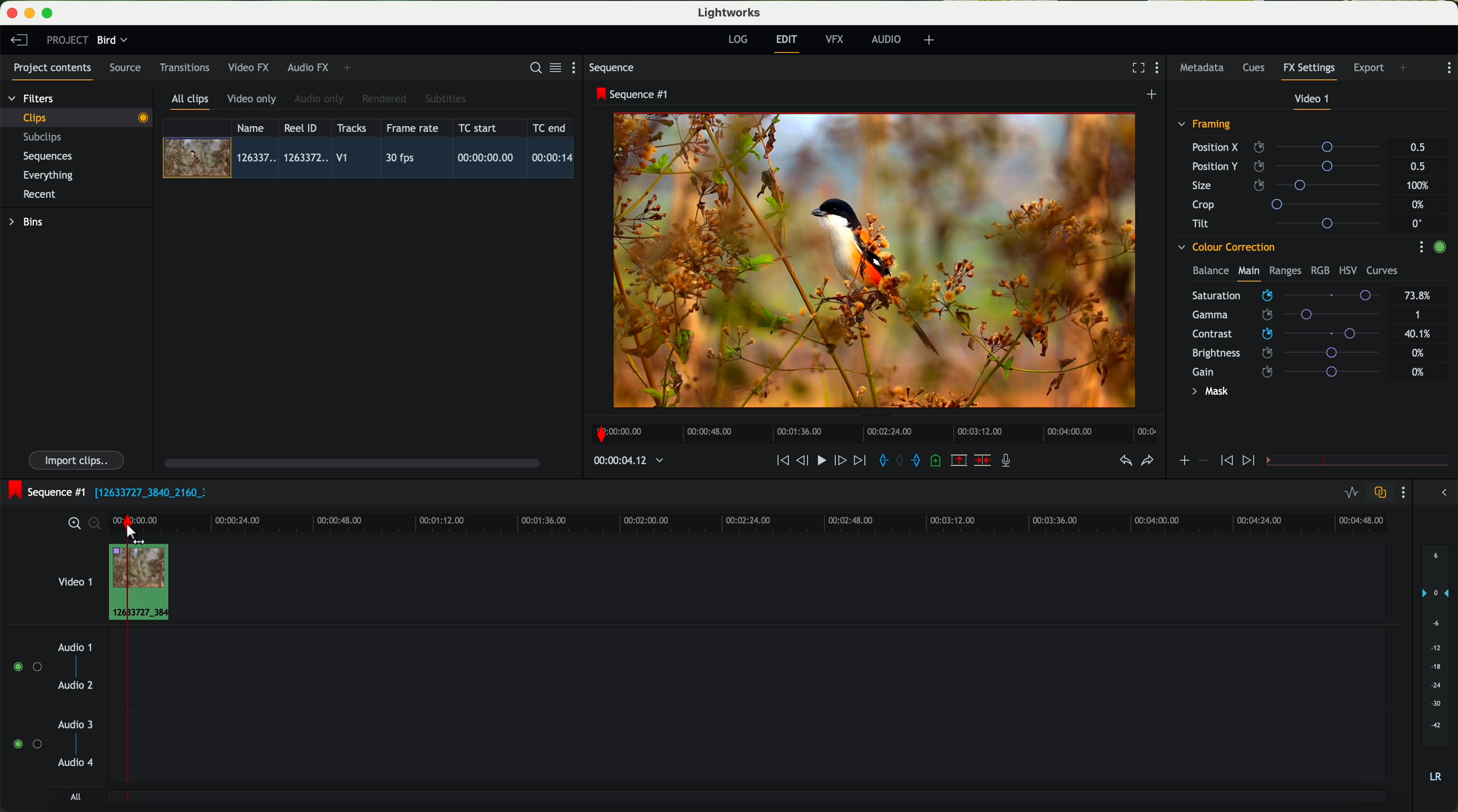 Image resolution: width=1458 pixels, height=812 pixels. What do you see at coordinates (255, 128) in the screenshot?
I see `name` at bounding box center [255, 128].